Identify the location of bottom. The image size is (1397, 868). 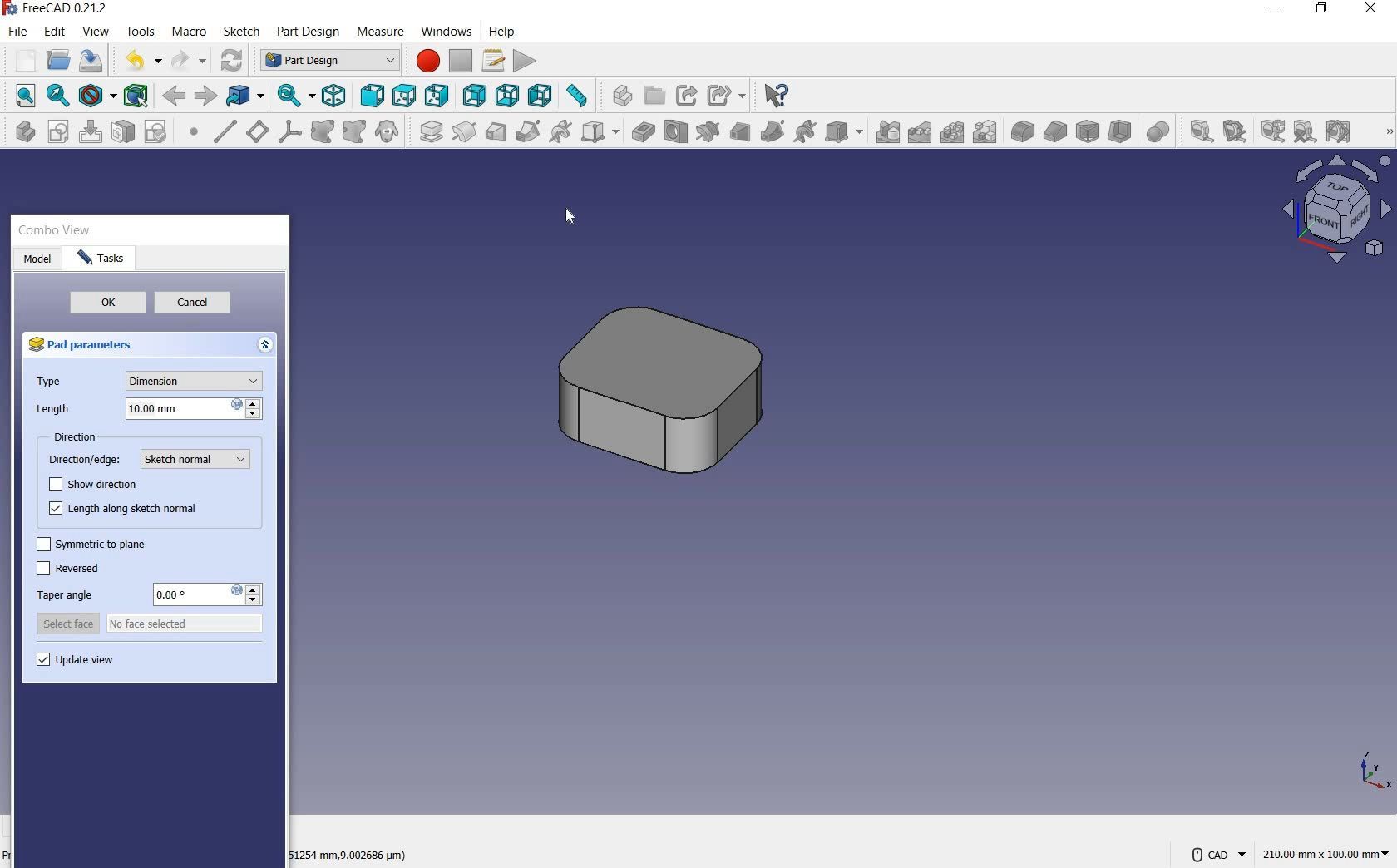
(509, 94).